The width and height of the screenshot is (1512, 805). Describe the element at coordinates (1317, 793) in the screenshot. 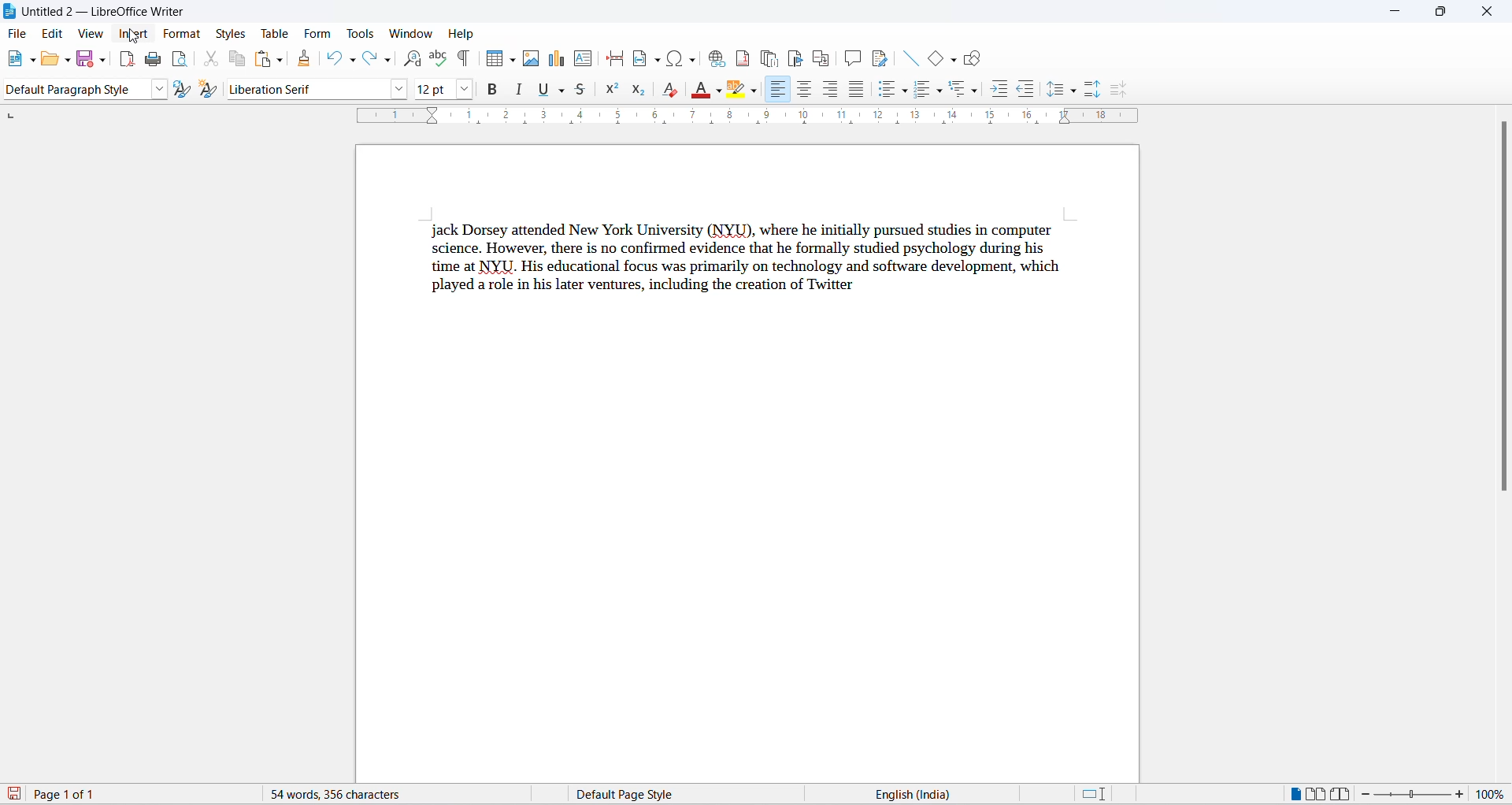

I see `multipage view` at that location.